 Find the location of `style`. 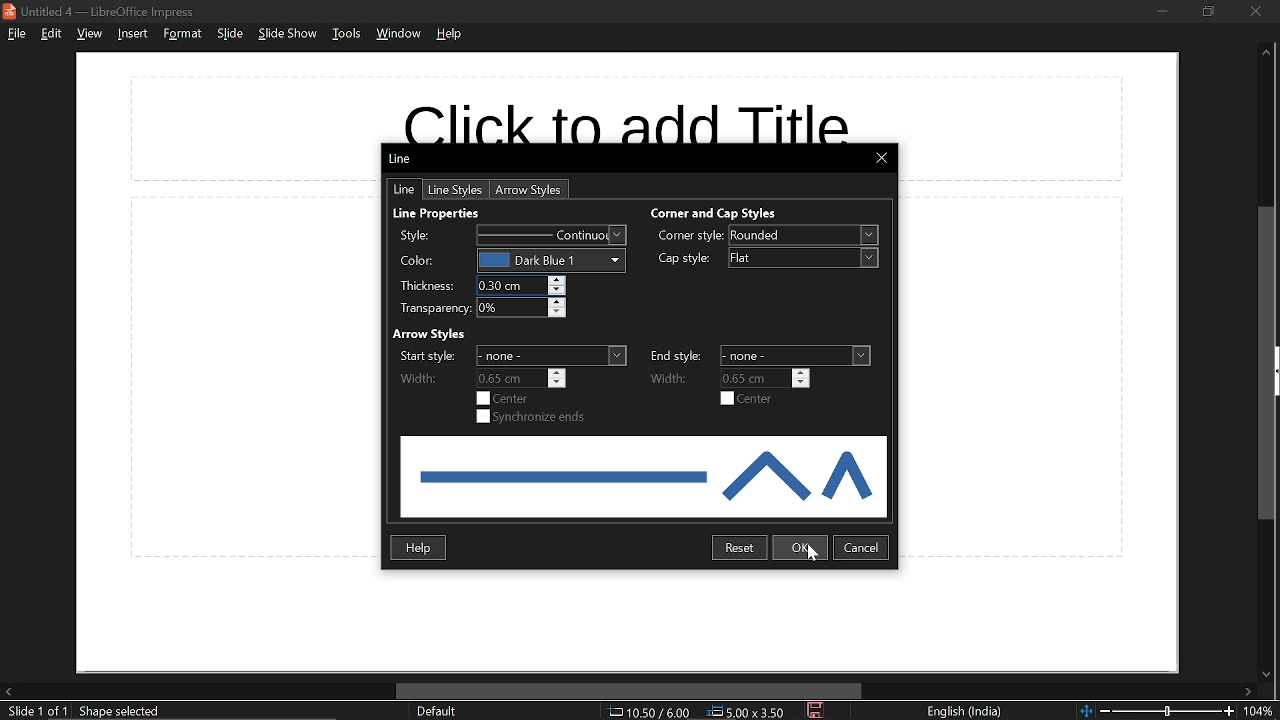

style is located at coordinates (552, 235).